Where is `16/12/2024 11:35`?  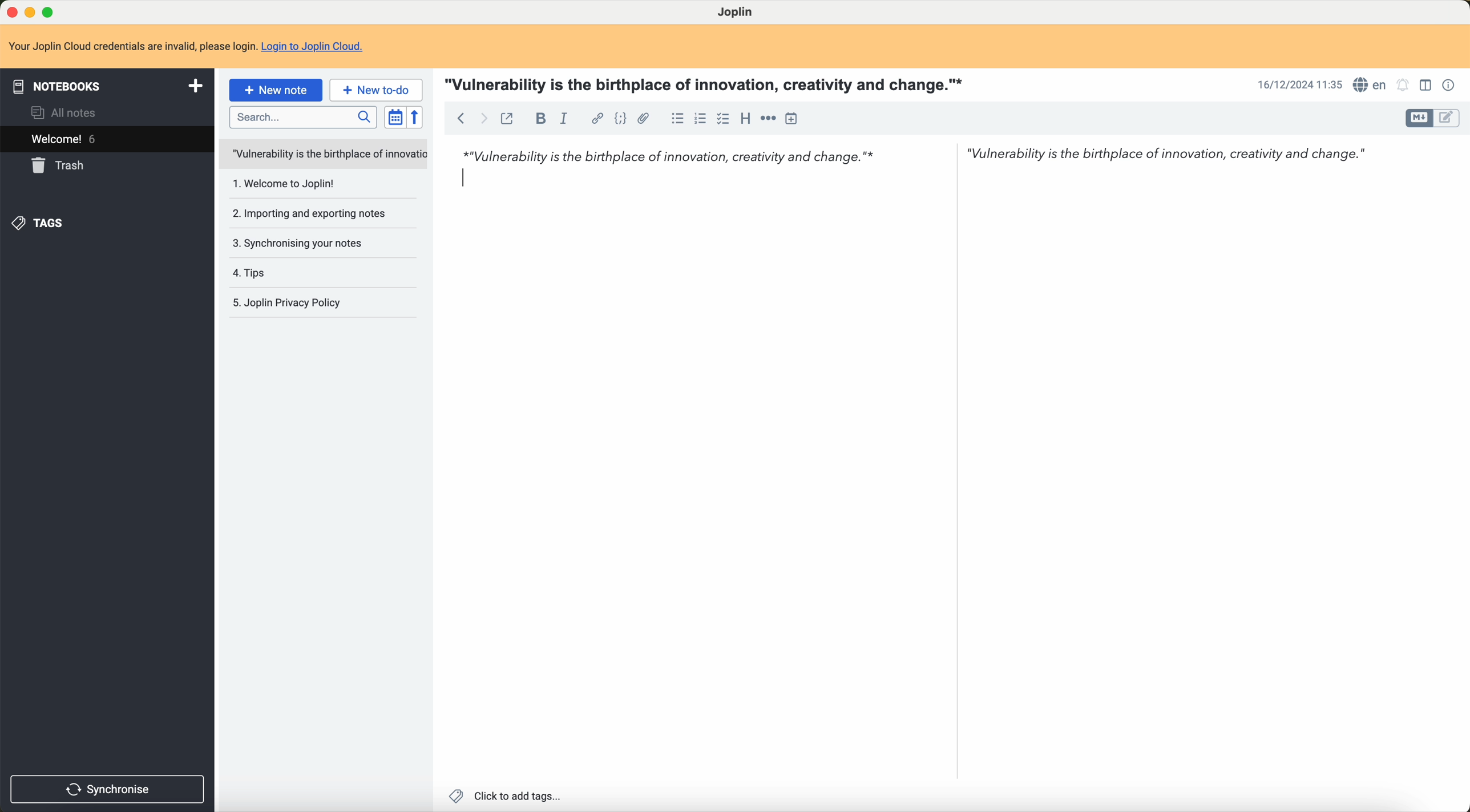 16/12/2024 11:35 is located at coordinates (1297, 85).